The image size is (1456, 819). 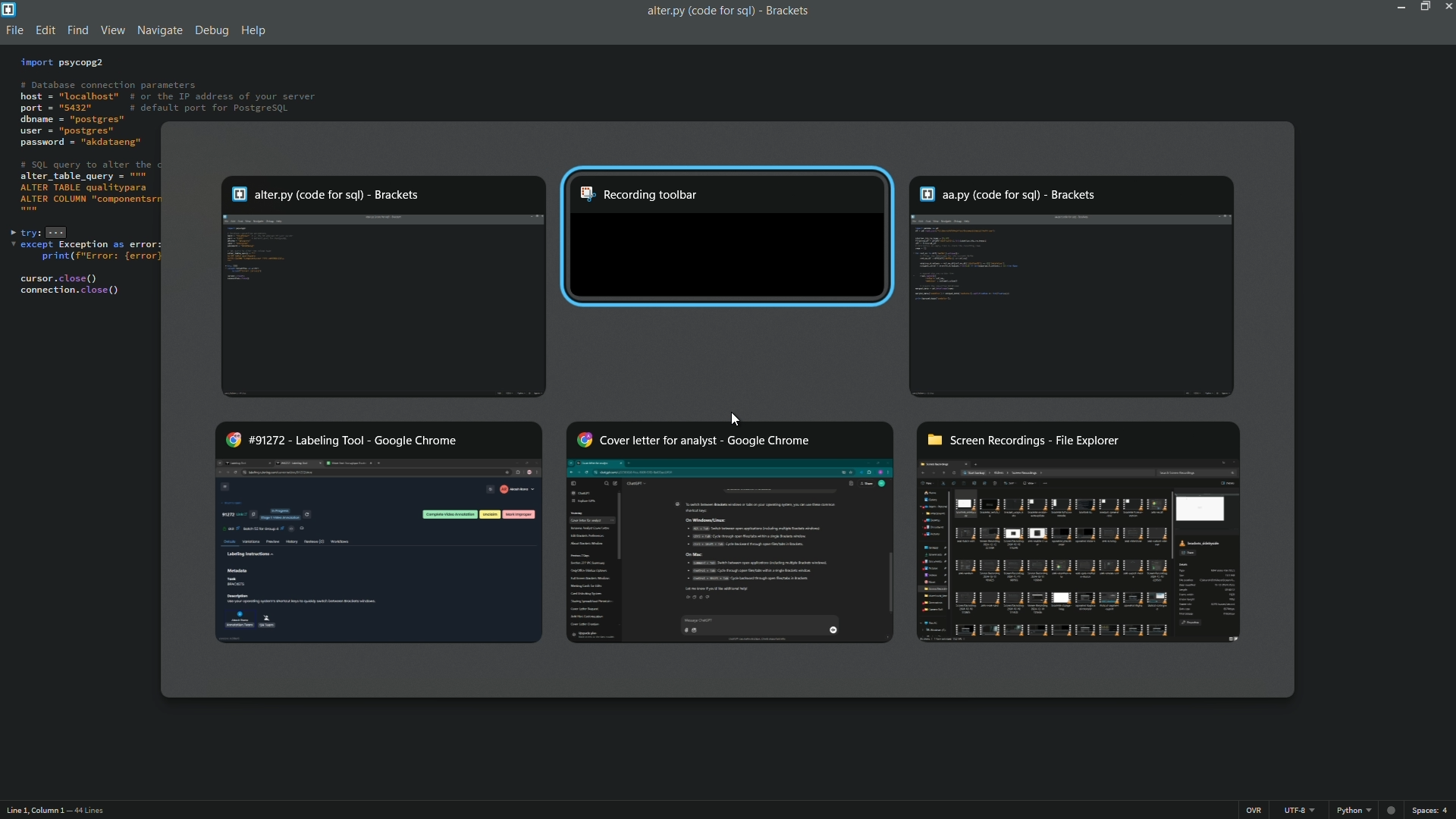 I want to click on No linter available, so click(x=1390, y=811).